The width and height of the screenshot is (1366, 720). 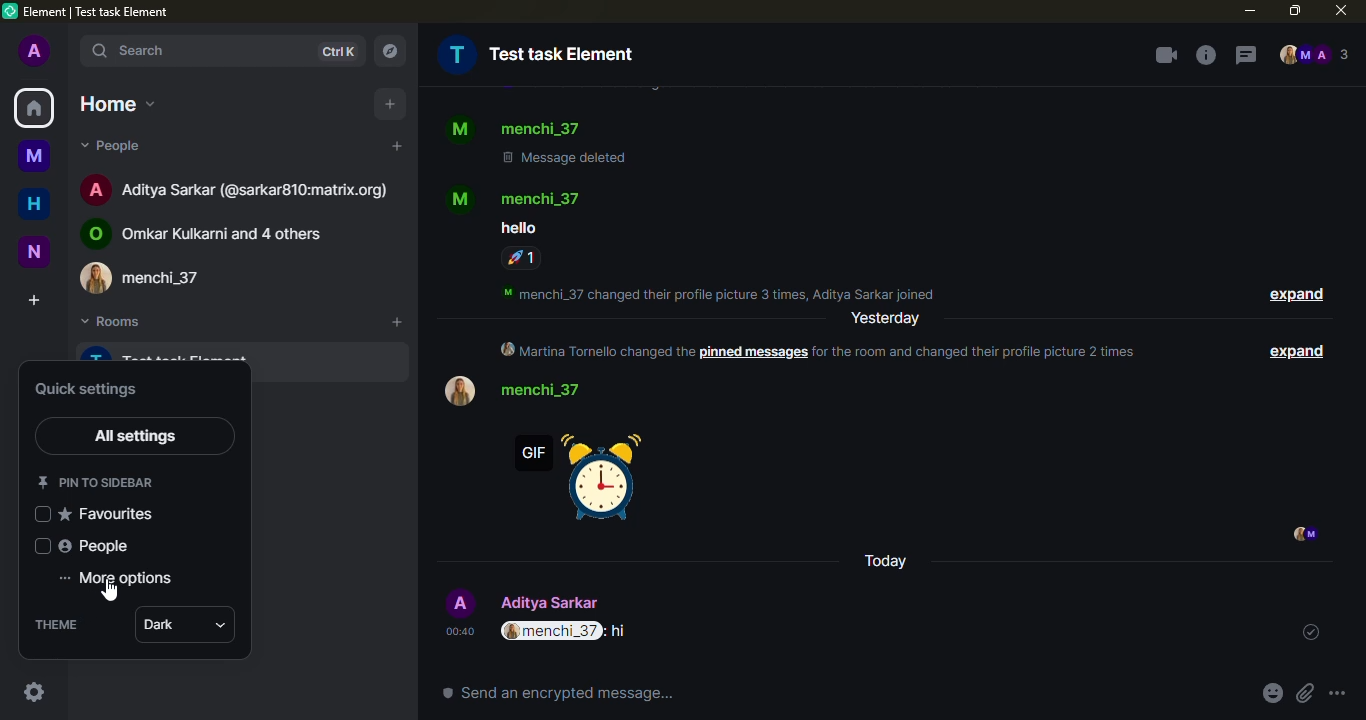 I want to click on people, so click(x=98, y=546).